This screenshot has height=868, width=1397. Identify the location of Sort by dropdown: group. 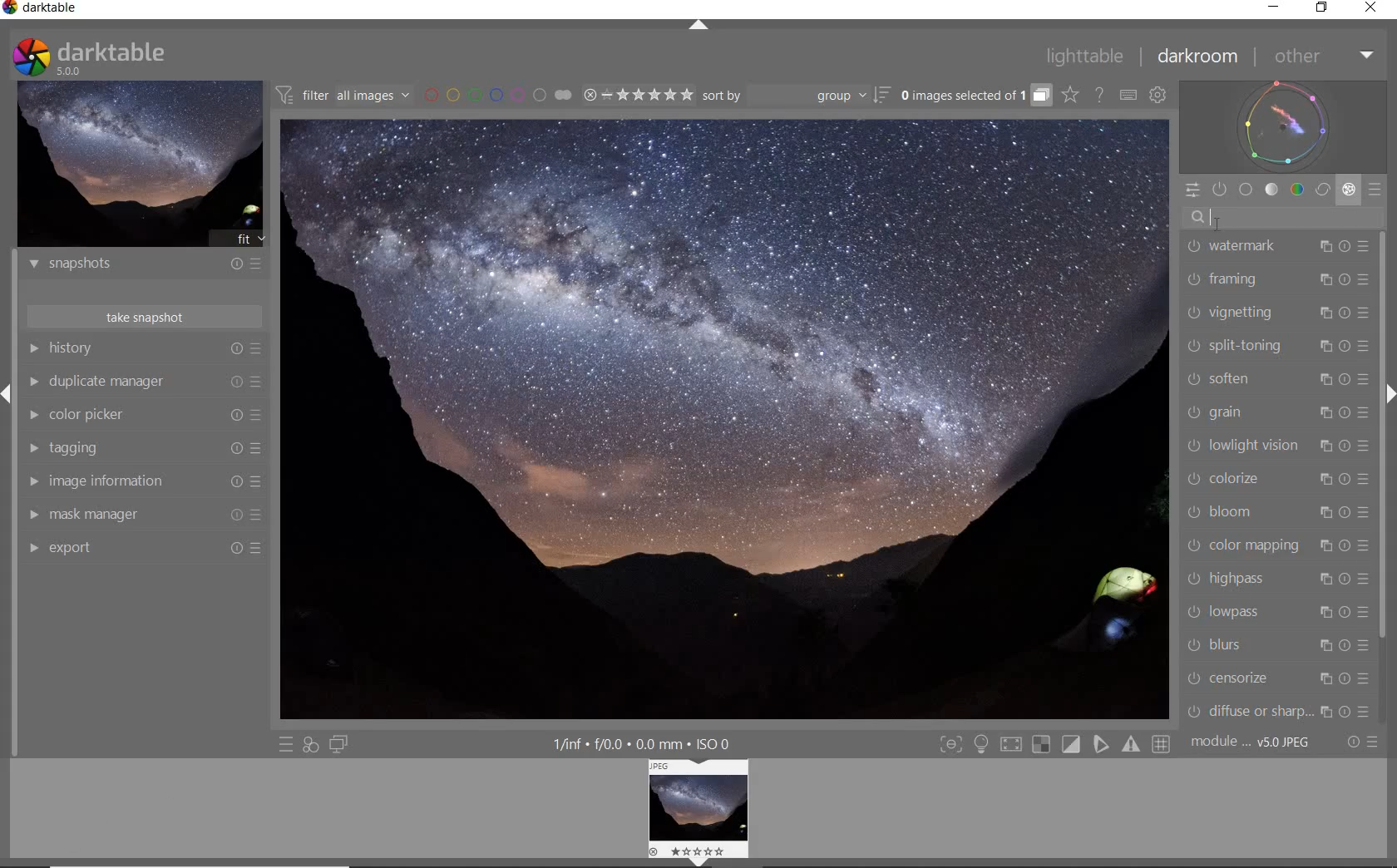
(784, 99).